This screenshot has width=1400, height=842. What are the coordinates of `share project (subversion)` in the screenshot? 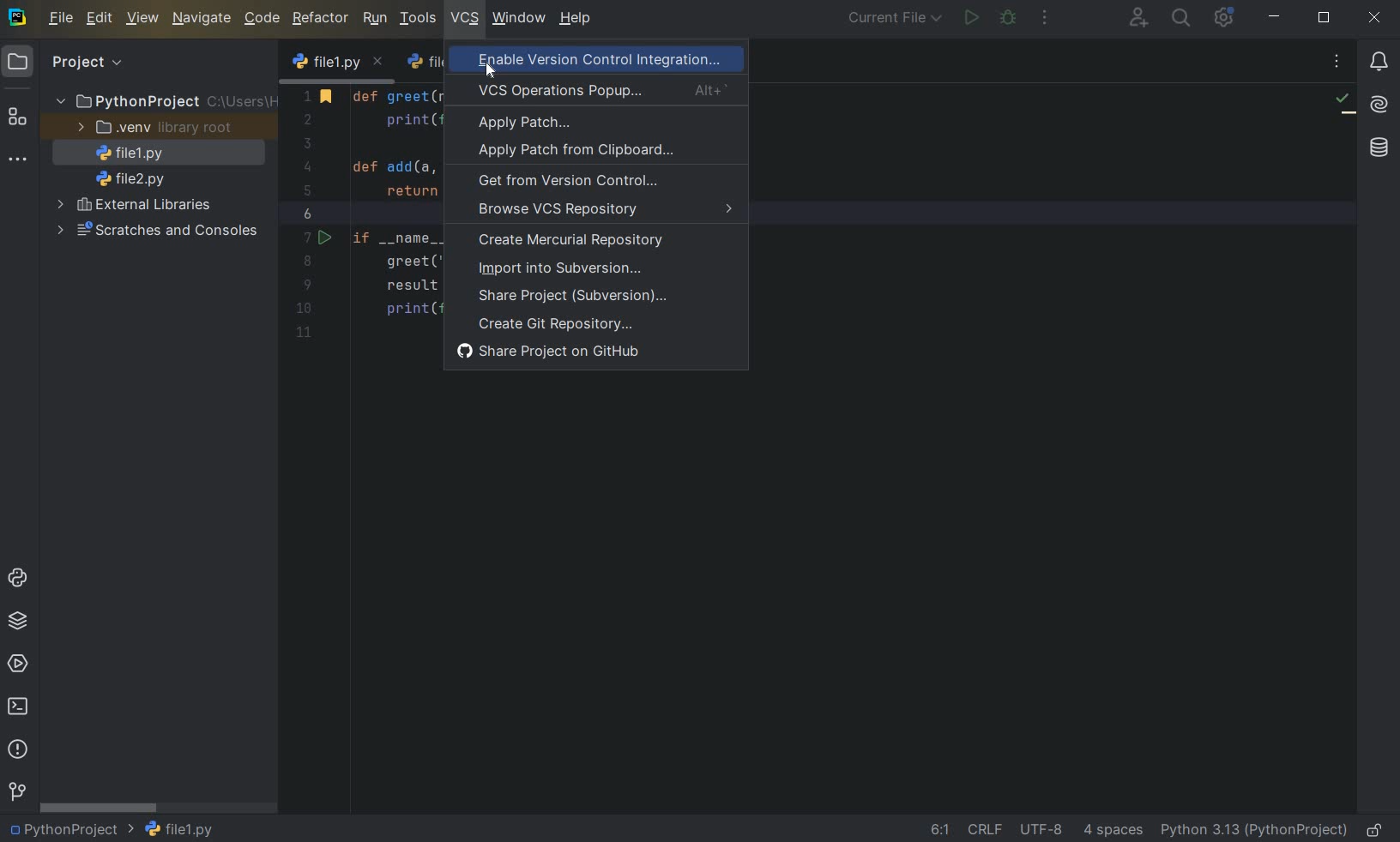 It's located at (577, 298).